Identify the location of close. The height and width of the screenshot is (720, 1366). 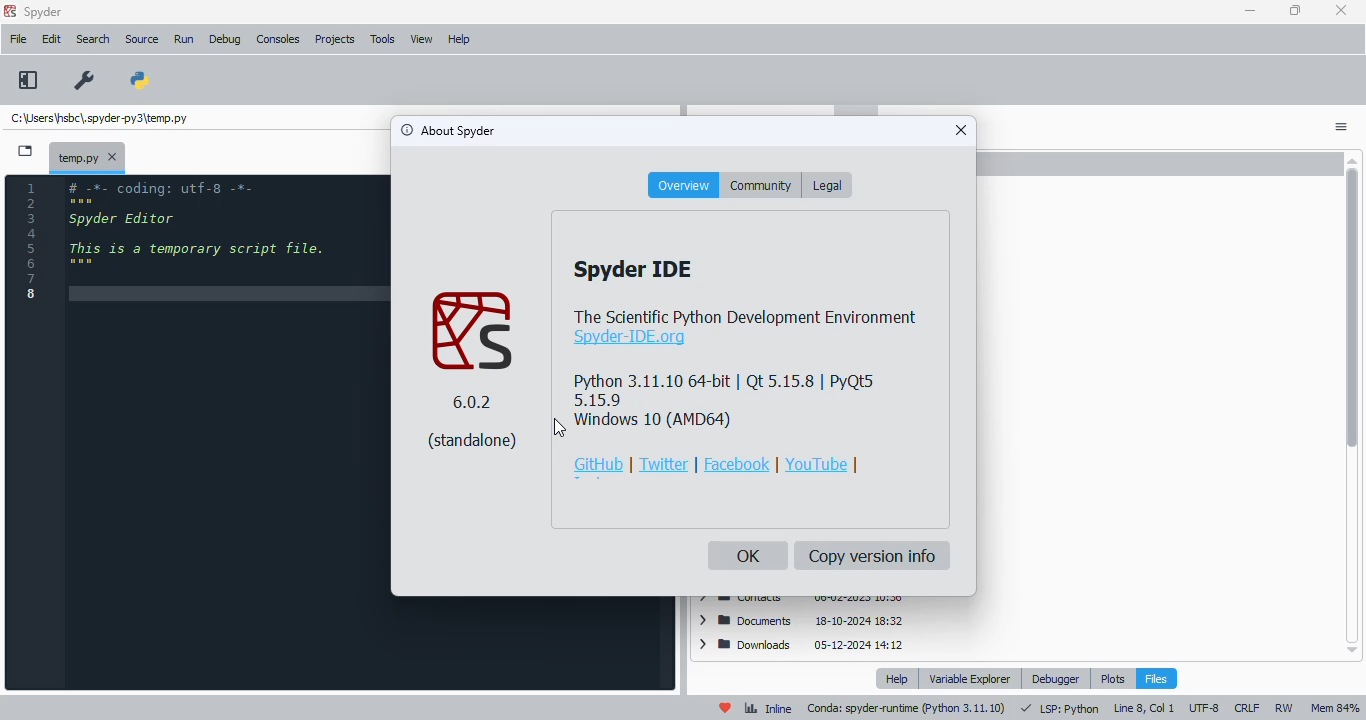
(961, 129).